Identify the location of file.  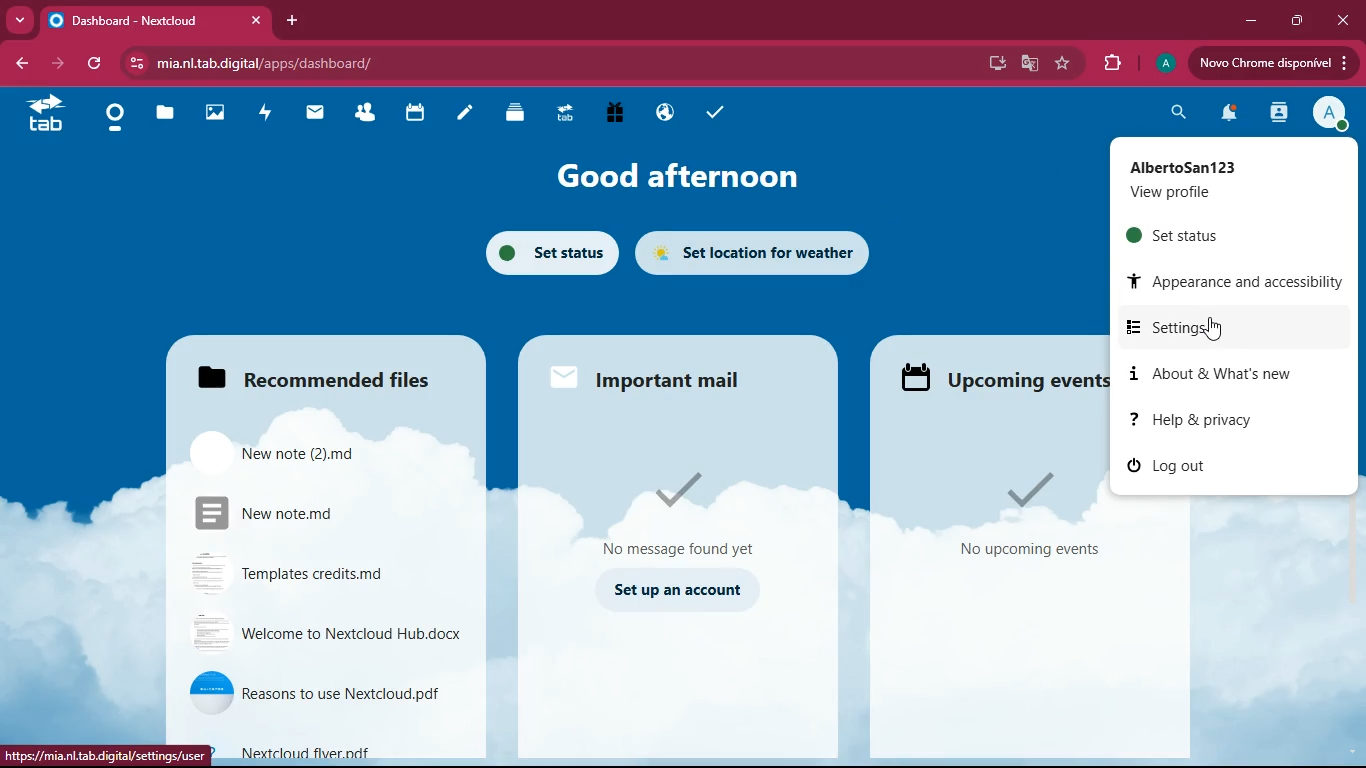
(301, 451).